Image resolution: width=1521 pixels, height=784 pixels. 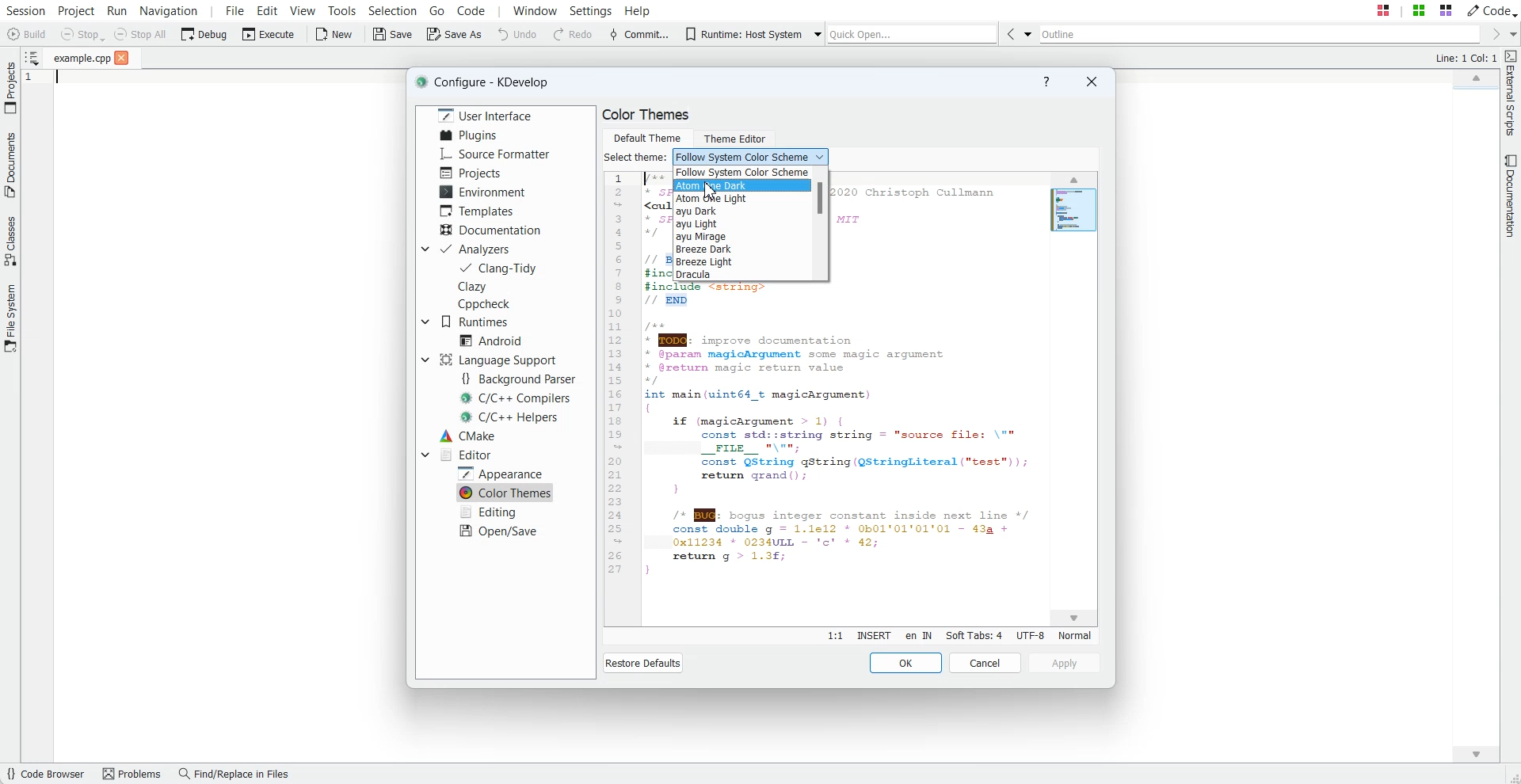 I want to click on Save As, so click(x=454, y=35).